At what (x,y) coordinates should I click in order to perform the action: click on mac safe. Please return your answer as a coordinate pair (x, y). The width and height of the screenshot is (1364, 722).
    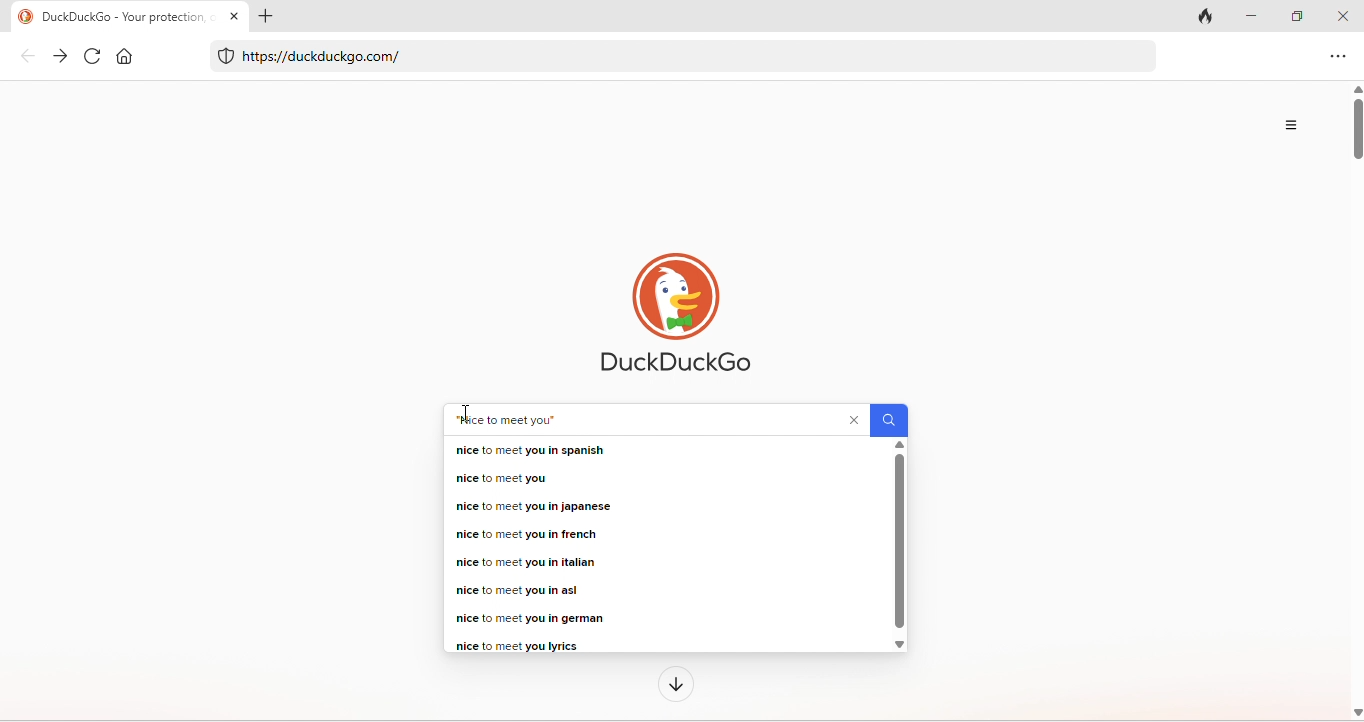
    Looking at the image, I should click on (227, 55).